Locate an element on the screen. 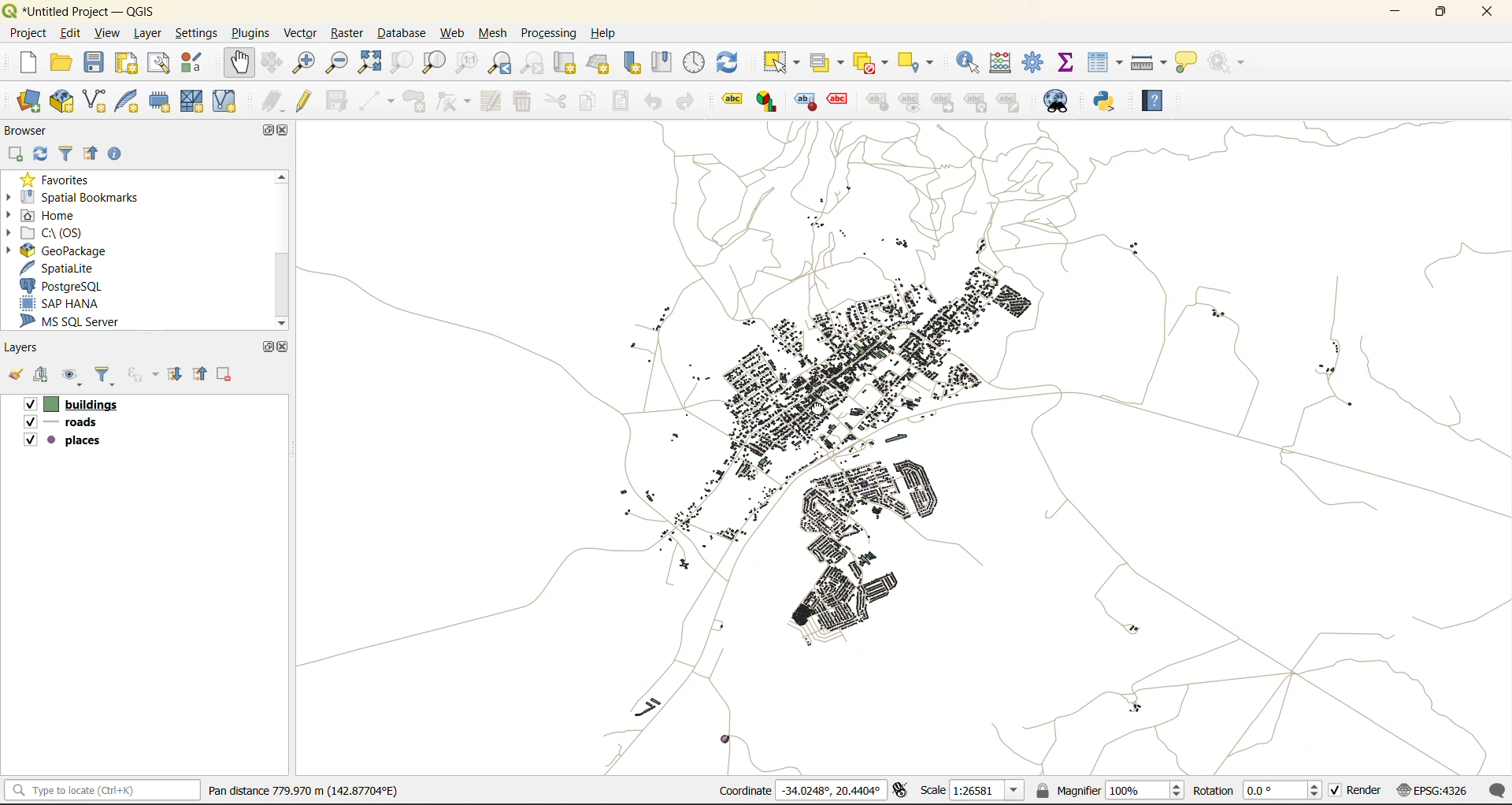 The image size is (1512, 805). control panel is located at coordinates (693, 65).